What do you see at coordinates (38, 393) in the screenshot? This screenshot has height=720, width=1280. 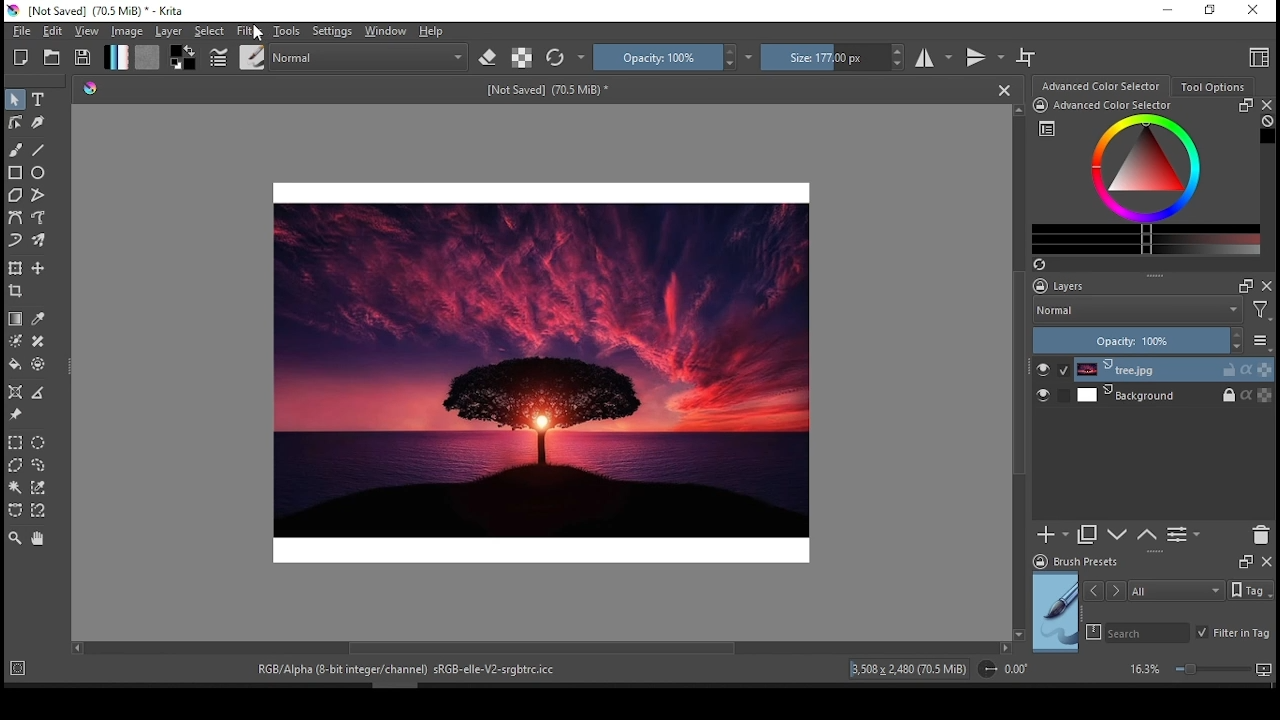 I see `measure the distance between two points` at bounding box center [38, 393].